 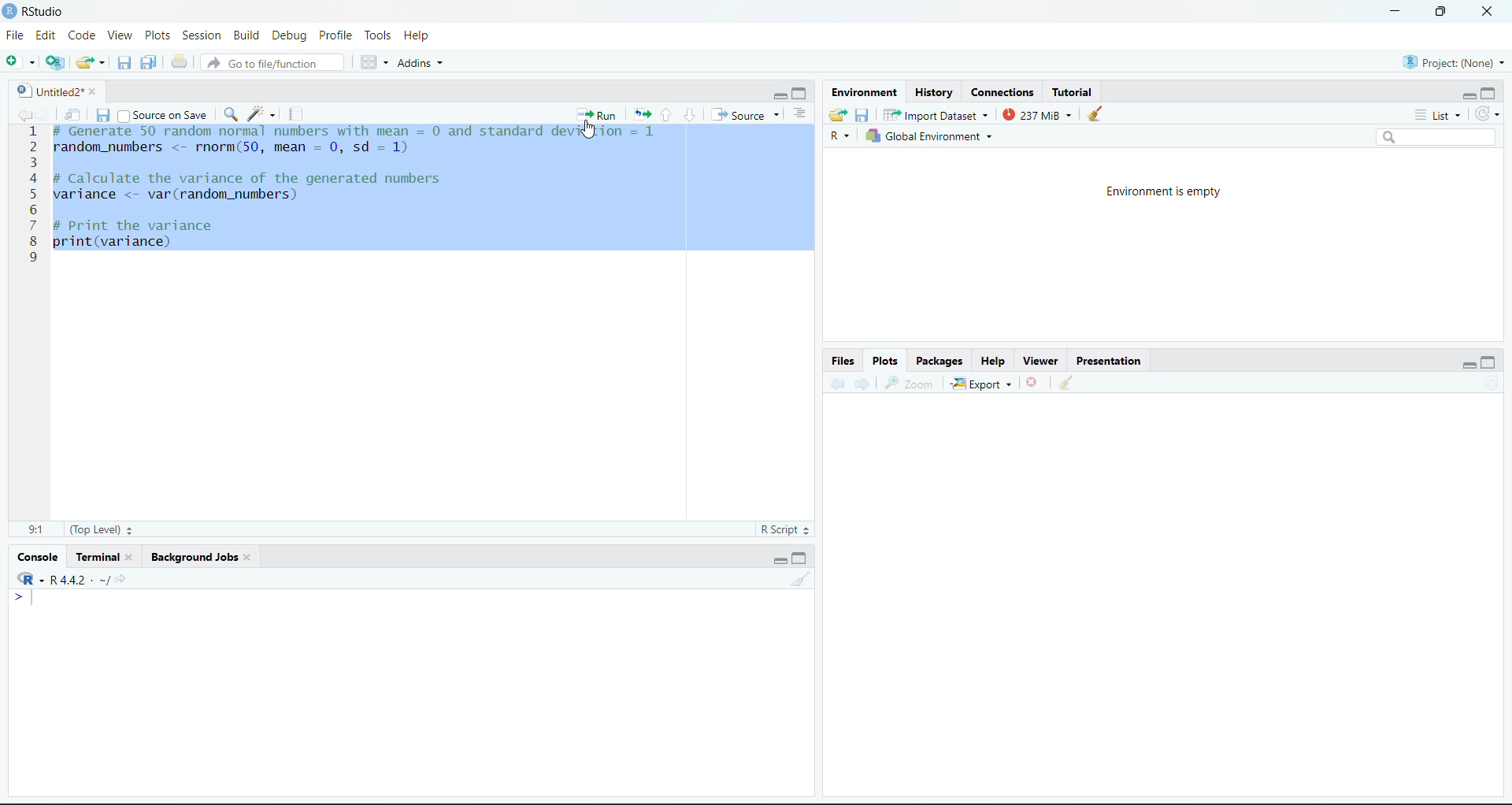 I want to click on close, so click(x=1488, y=12).